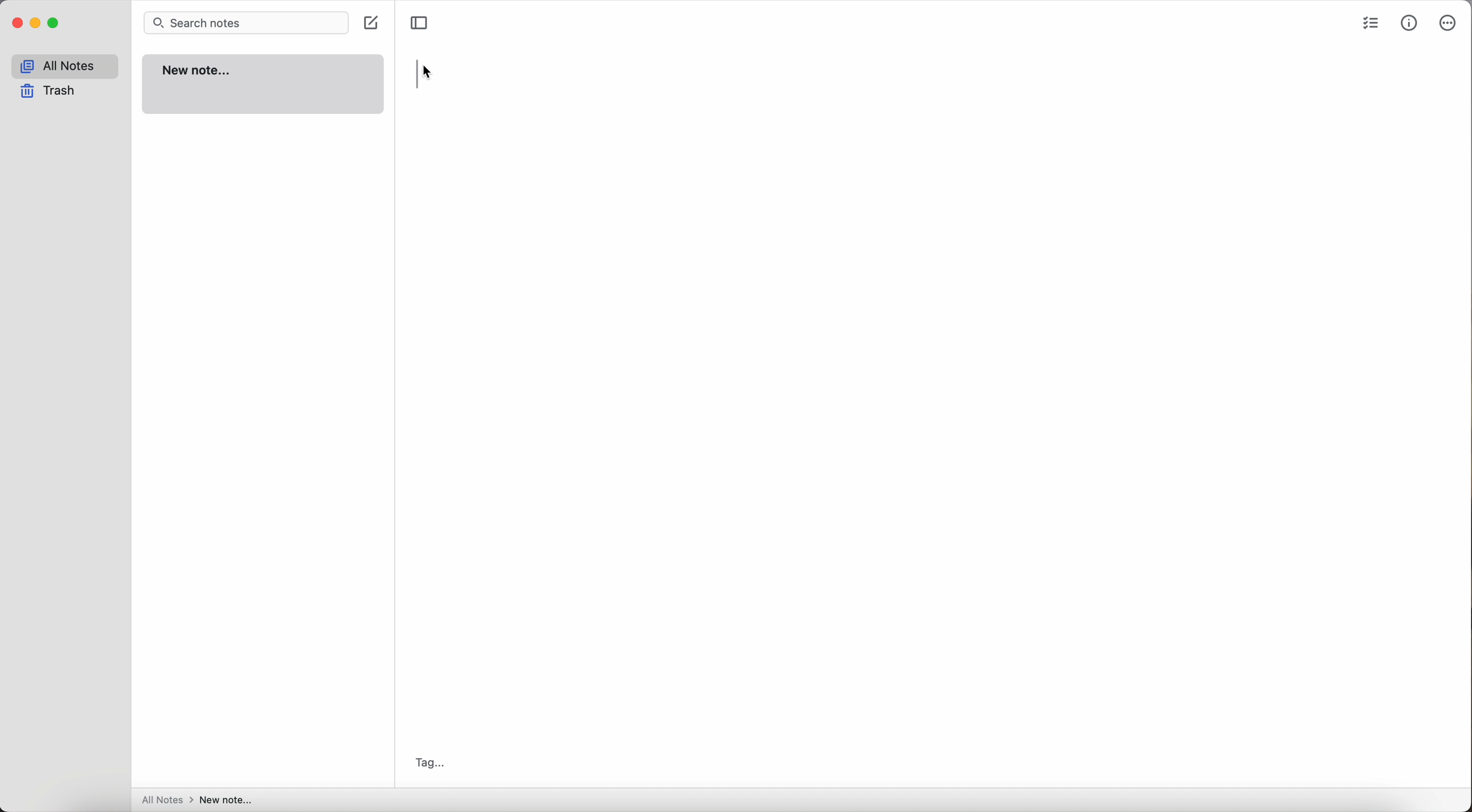 This screenshot has width=1472, height=812. Describe the element at coordinates (63, 67) in the screenshot. I see `all notes` at that location.